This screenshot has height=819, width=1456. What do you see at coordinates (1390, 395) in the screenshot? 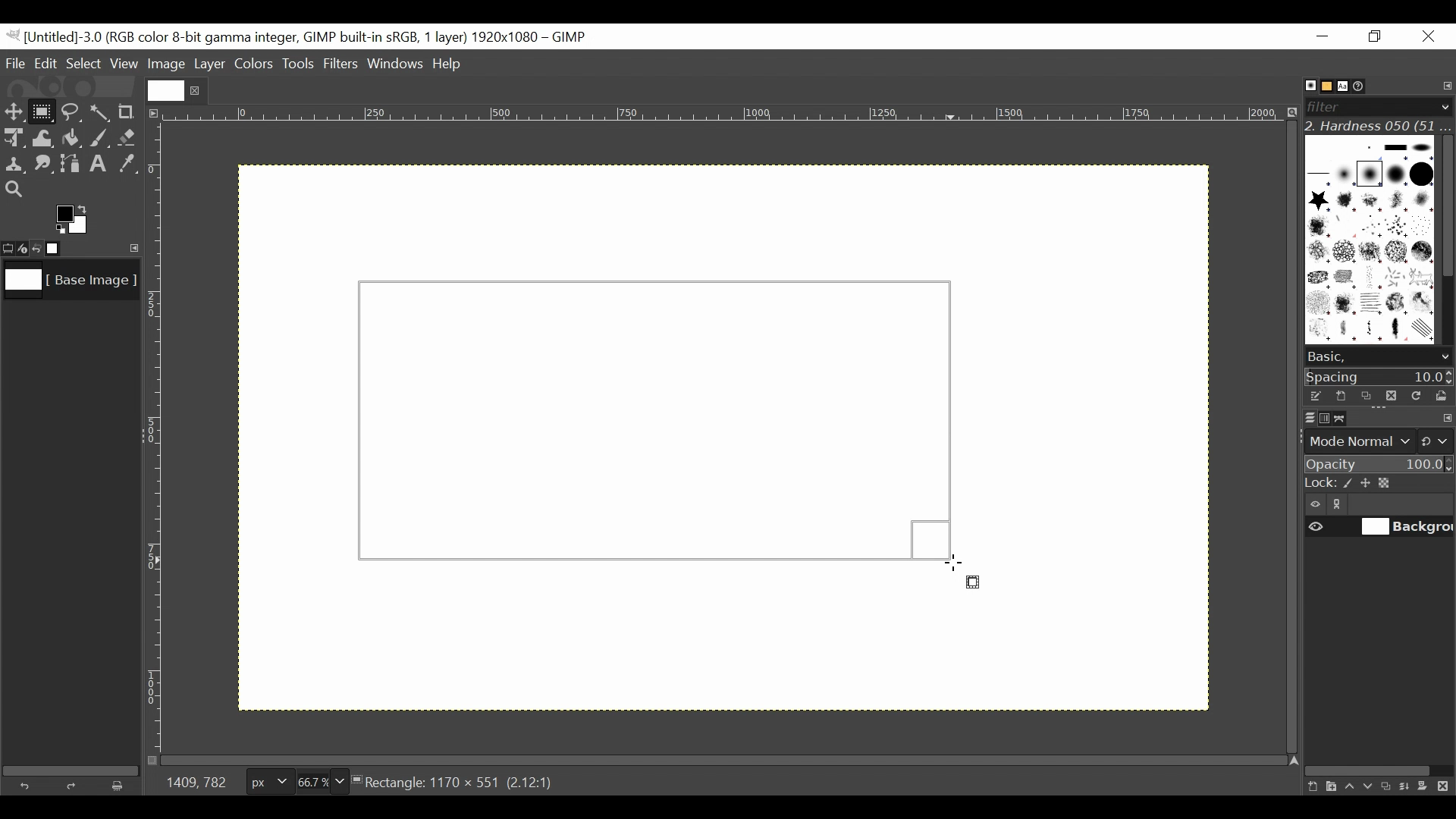
I see `Duplicate brush` at bounding box center [1390, 395].